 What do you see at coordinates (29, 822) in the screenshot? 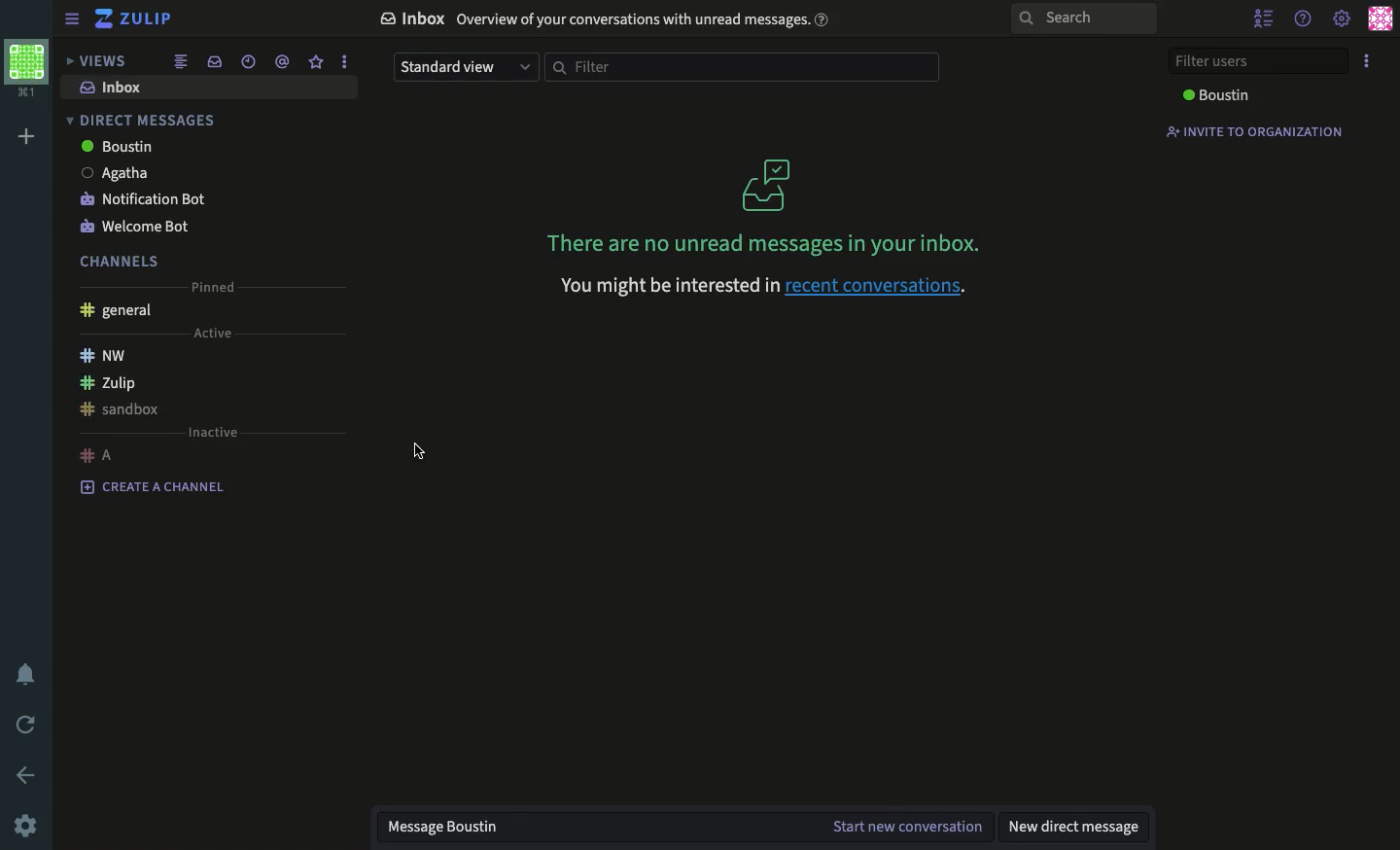
I see `settings` at bounding box center [29, 822].